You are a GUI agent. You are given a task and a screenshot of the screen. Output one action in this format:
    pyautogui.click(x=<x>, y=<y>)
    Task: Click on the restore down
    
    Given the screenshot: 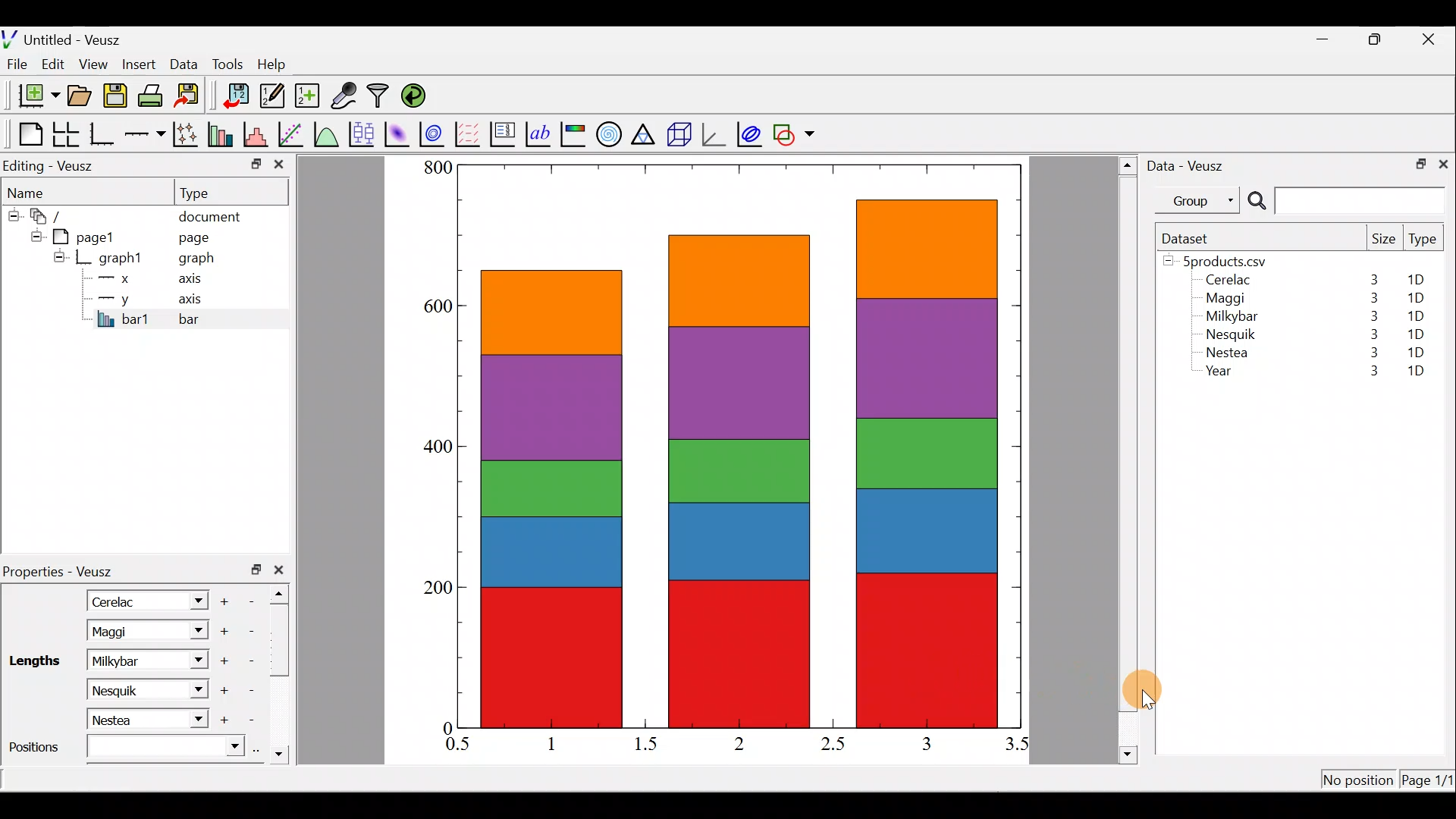 What is the action you would take?
    pyautogui.click(x=1377, y=39)
    